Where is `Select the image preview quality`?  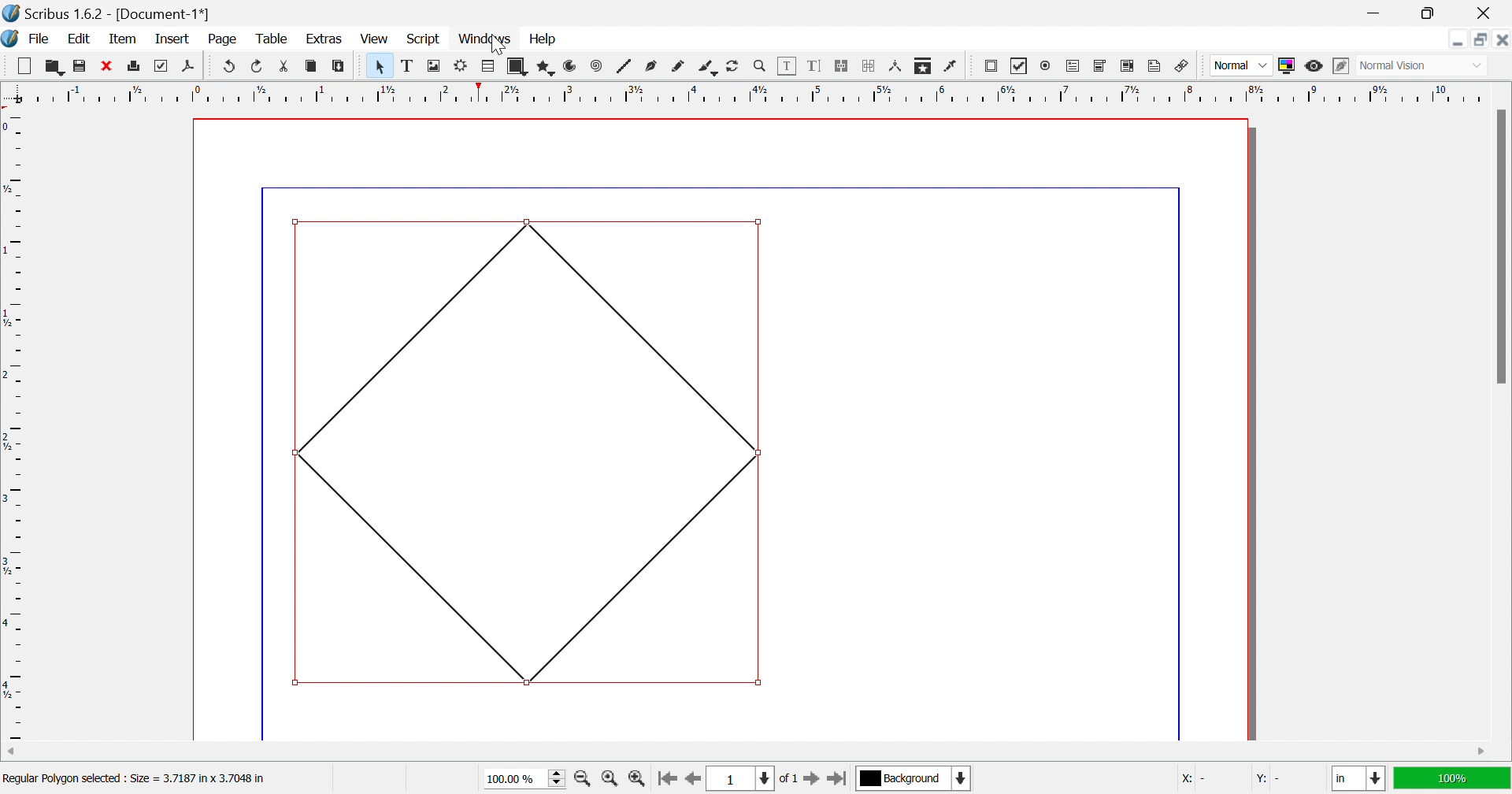
Select the image preview quality is located at coordinates (1240, 65).